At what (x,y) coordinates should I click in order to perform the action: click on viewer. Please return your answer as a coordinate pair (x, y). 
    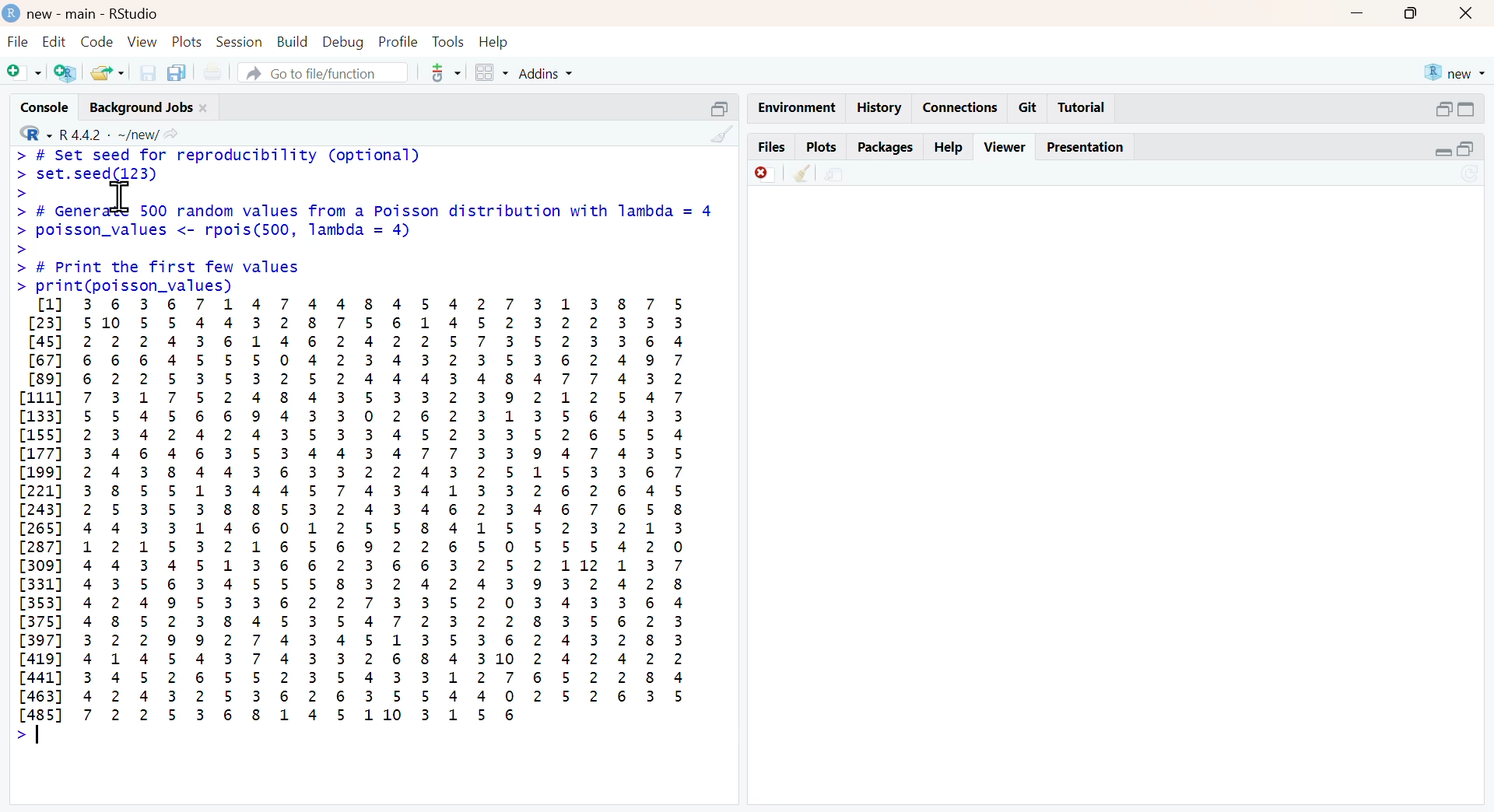
    Looking at the image, I should click on (1007, 147).